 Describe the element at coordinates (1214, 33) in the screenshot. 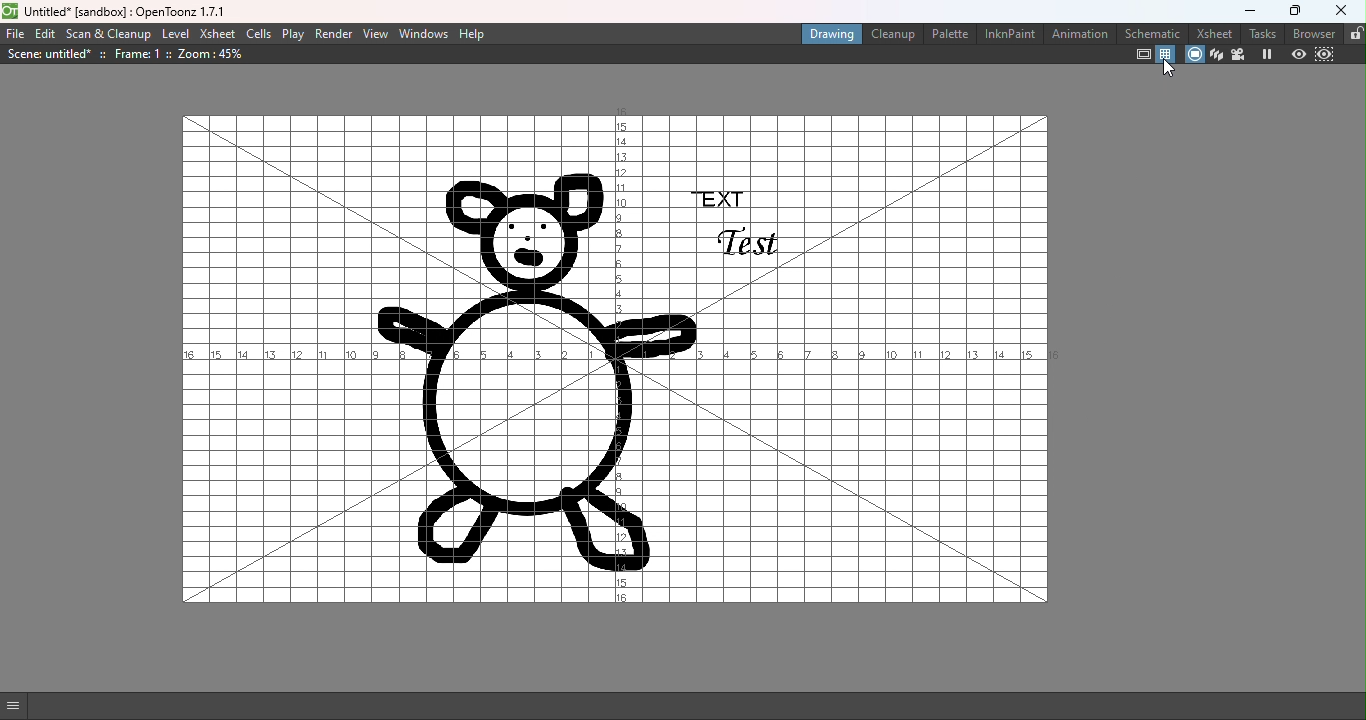

I see `Xsheets` at that location.